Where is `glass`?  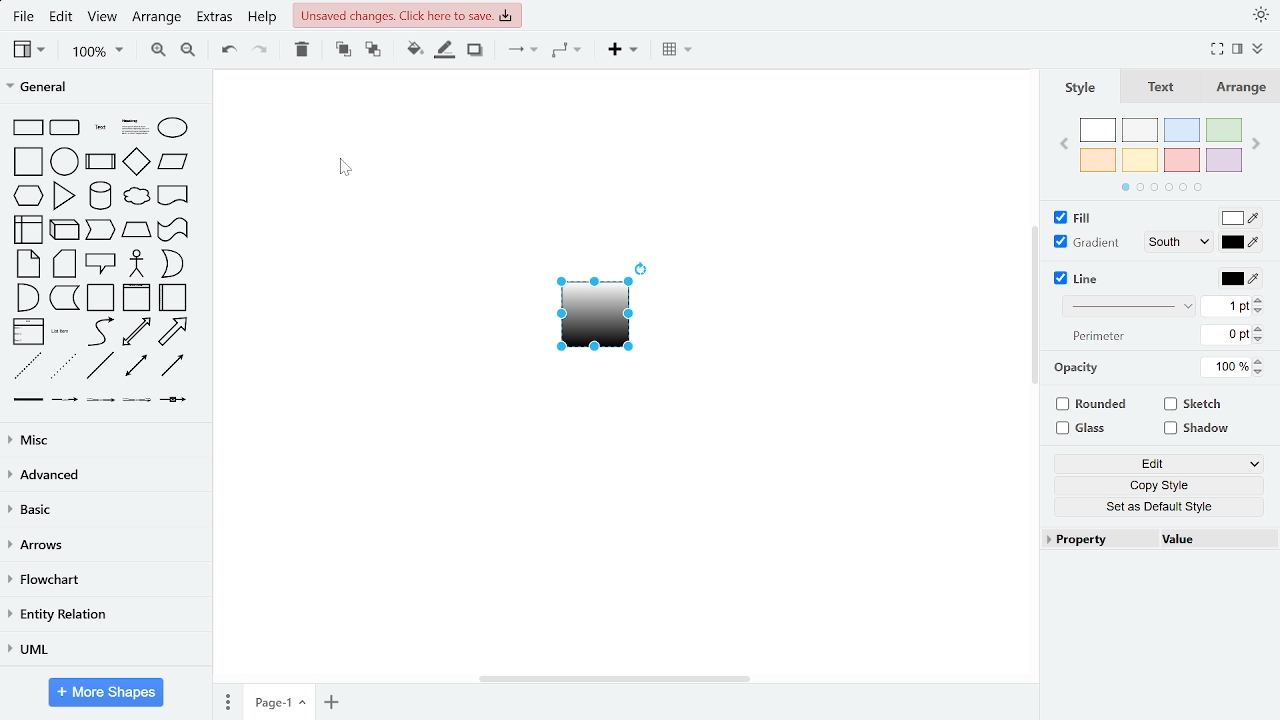 glass is located at coordinates (1085, 429).